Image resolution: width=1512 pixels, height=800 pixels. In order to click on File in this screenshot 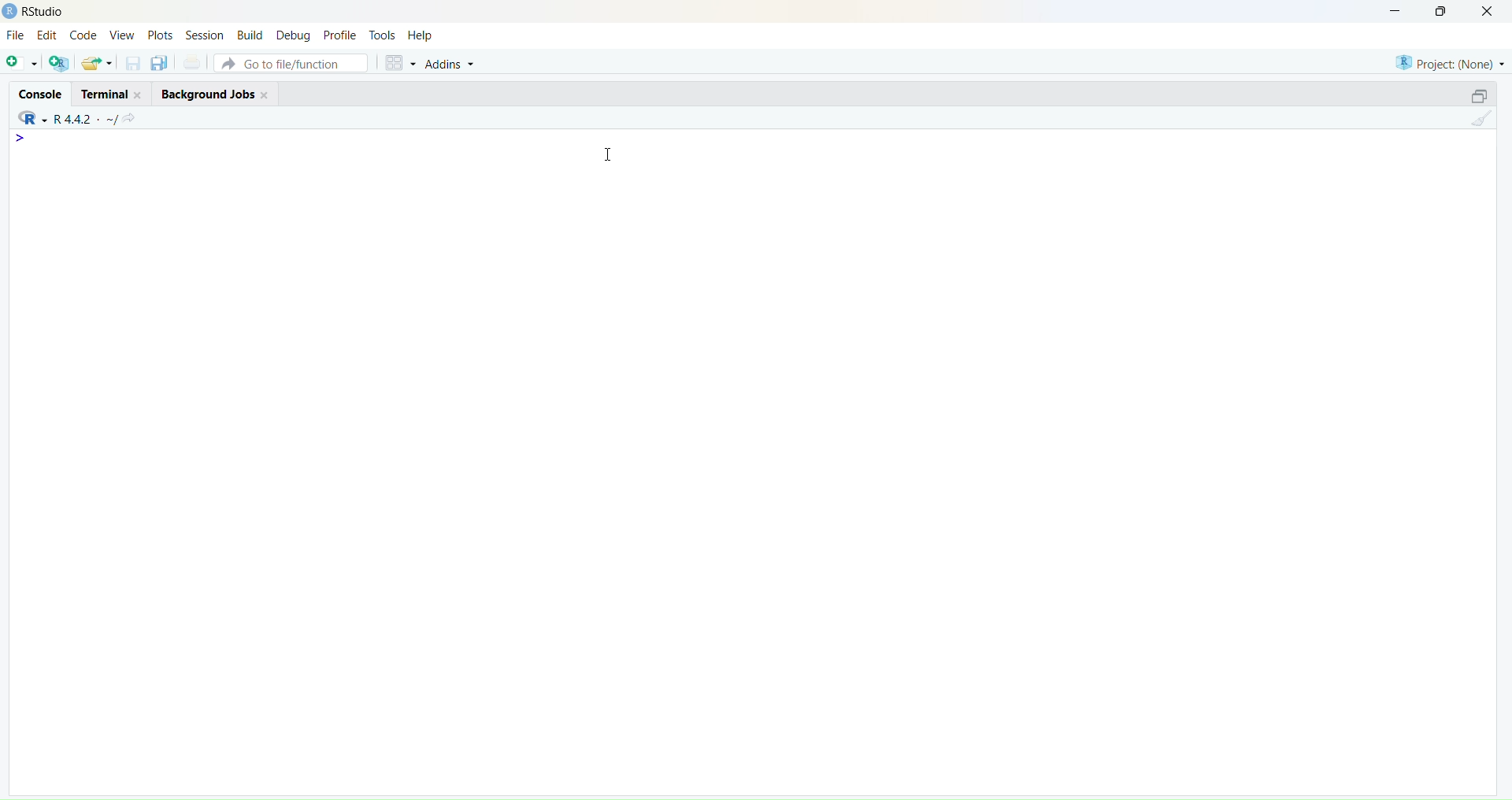, I will do `click(16, 36)`.